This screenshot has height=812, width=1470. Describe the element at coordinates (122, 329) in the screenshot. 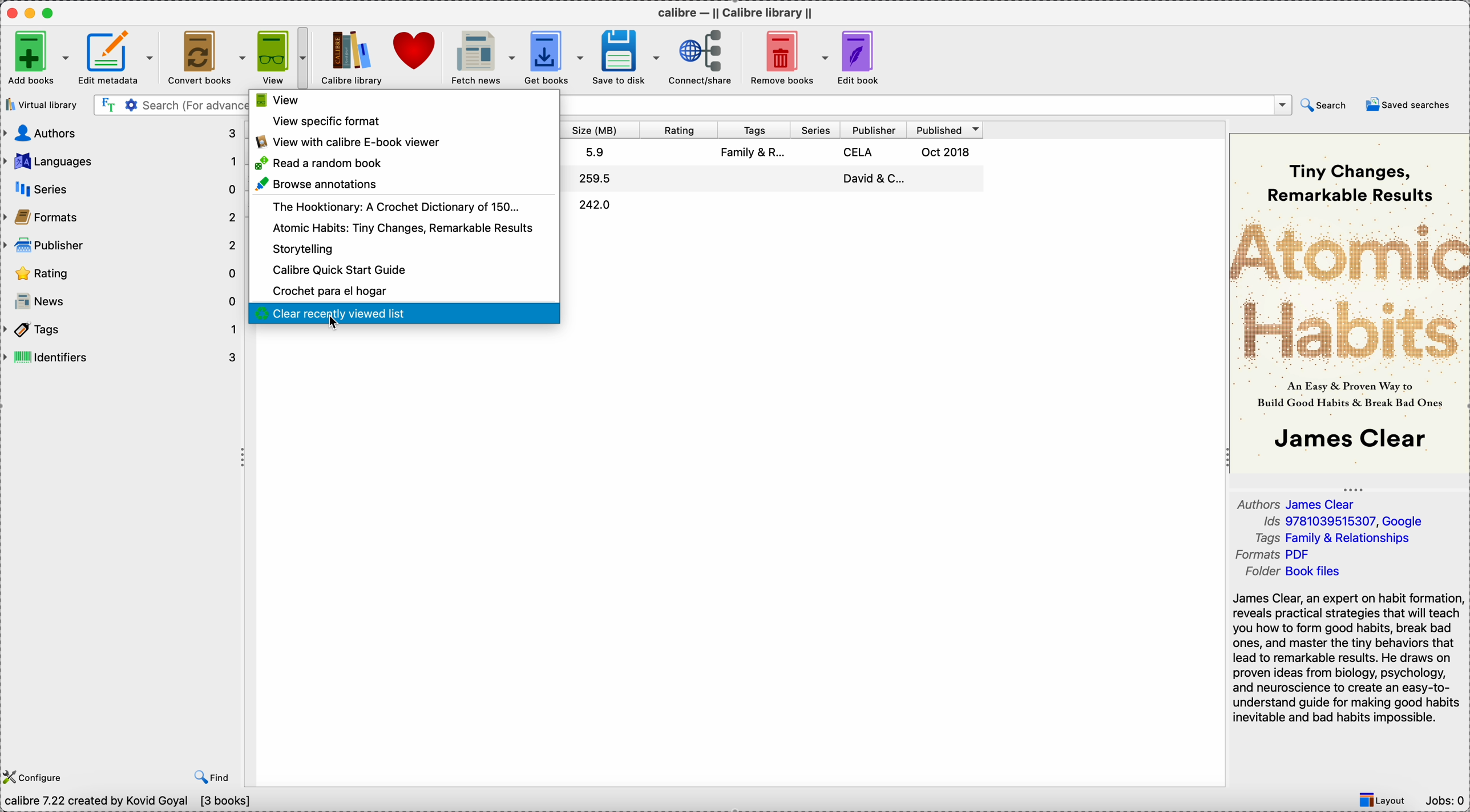

I see `tags` at that location.